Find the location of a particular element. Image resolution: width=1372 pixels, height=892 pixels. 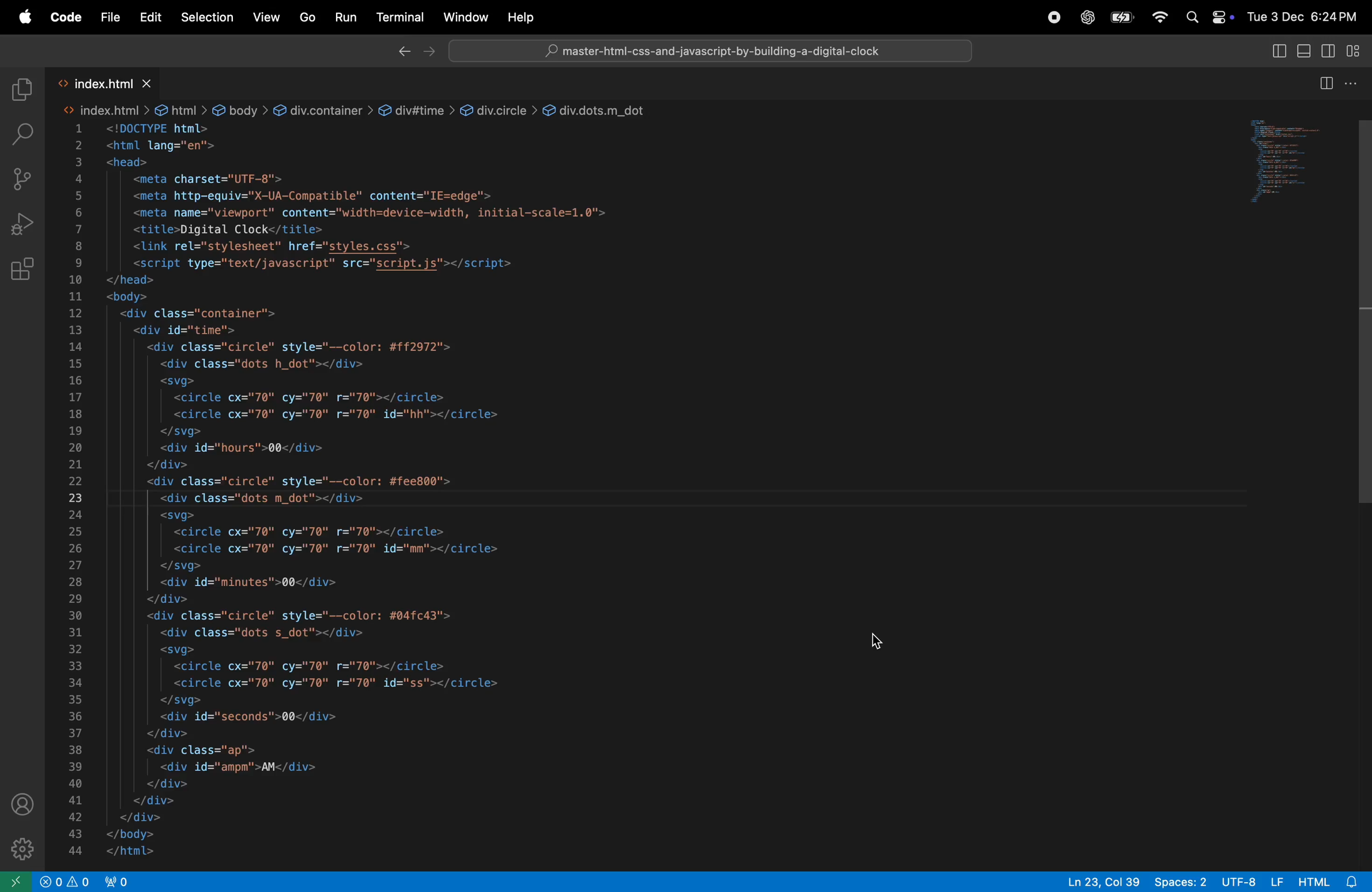

html alert is located at coordinates (1319, 880).